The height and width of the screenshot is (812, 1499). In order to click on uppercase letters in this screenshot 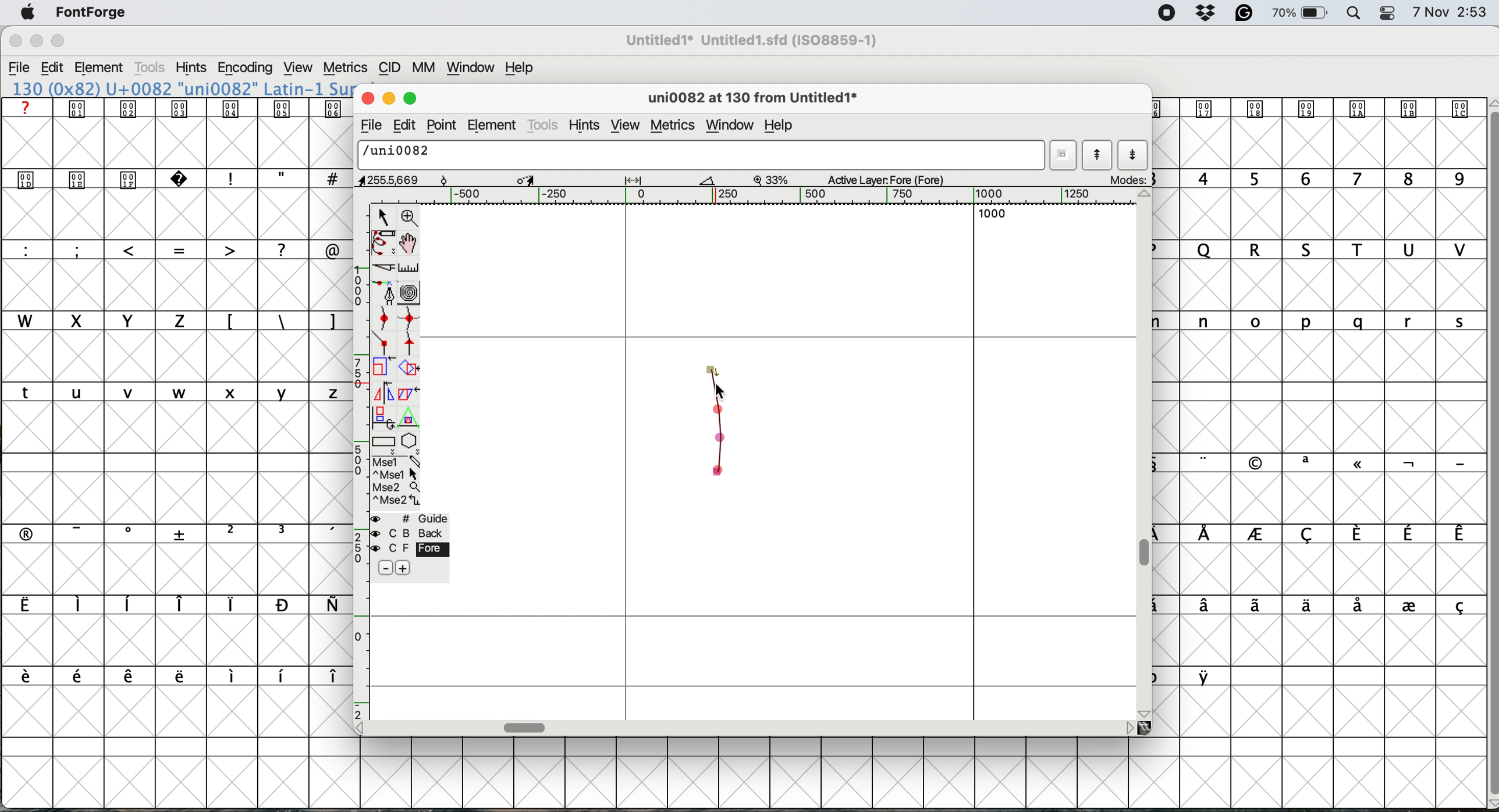, I will do `click(376, 250)`.